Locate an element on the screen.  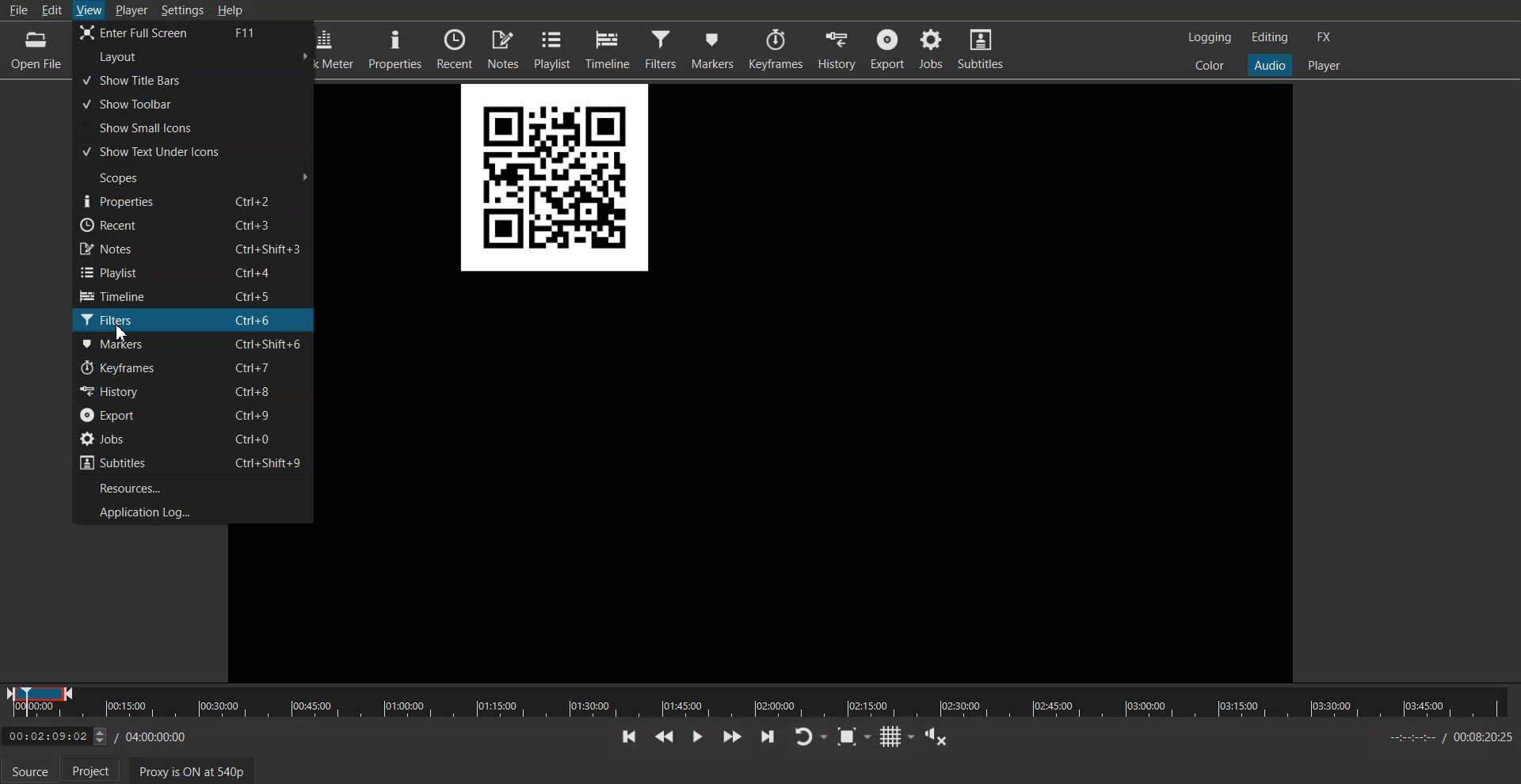
 is located at coordinates (932, 50).